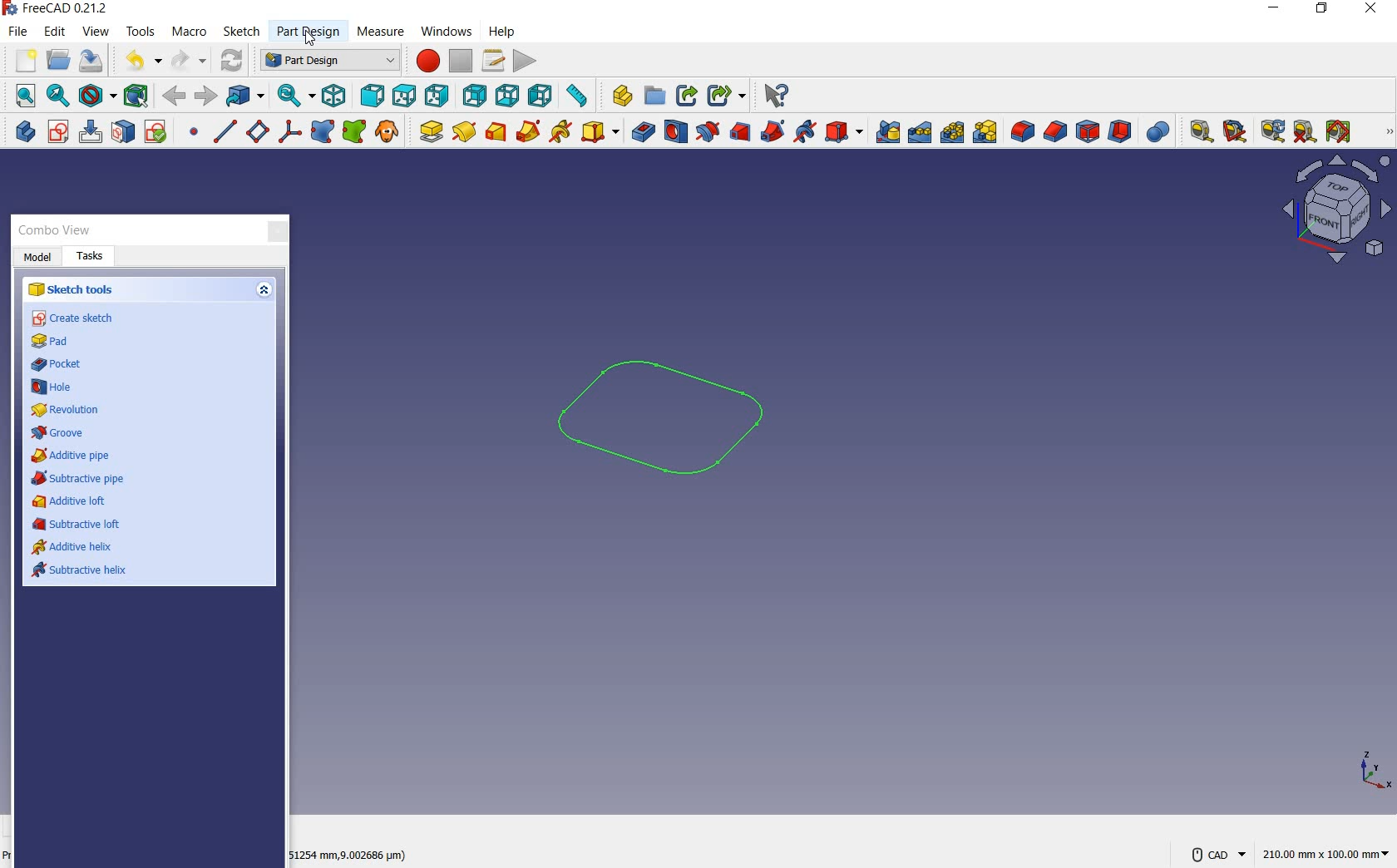 The width and height of the screenshot is (1397, 868). I want to click on pad, so click(54, 342).